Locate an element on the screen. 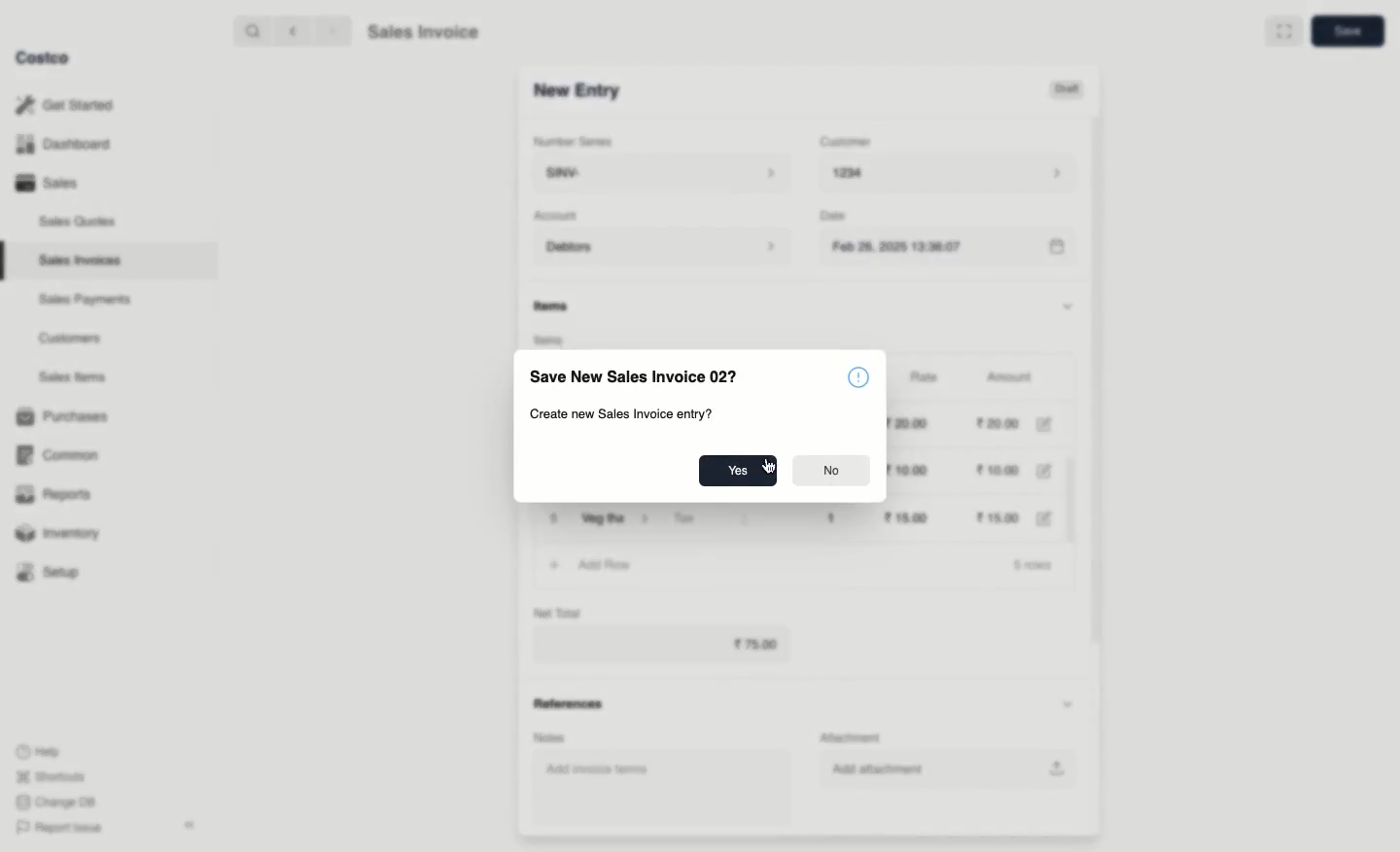 This screenshot has height=852, width=1400. Sales Invoices is located at coordinates (81, 261).